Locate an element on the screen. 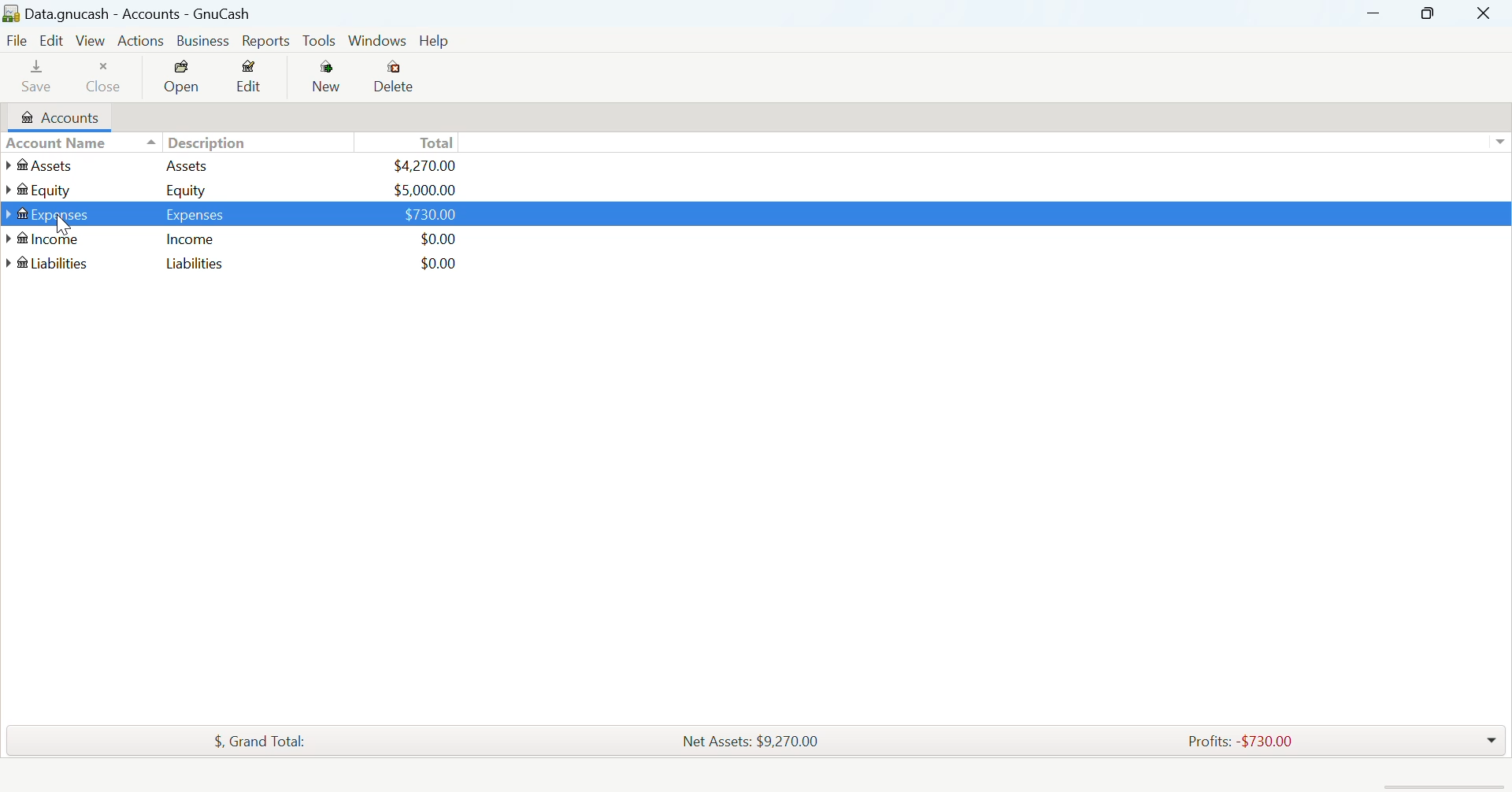 Image resolution: width=1512 pixels, height=792 pixels. Edit is located at coordinates (259, 80).